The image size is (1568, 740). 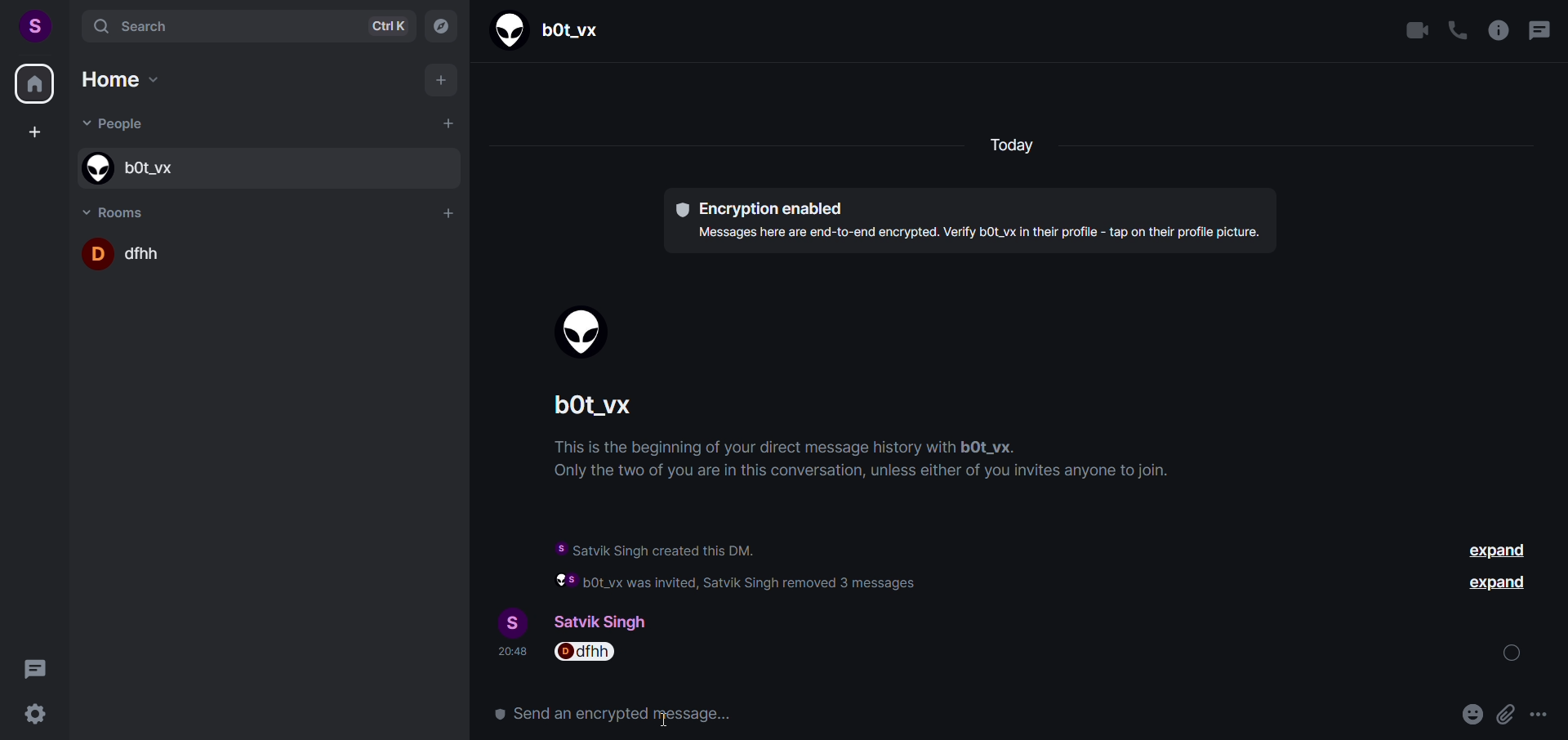 What do you see at coordinates (965, 220) in the screenshot?
I see `encryption eneabled text` at bounding box center [965, 220].